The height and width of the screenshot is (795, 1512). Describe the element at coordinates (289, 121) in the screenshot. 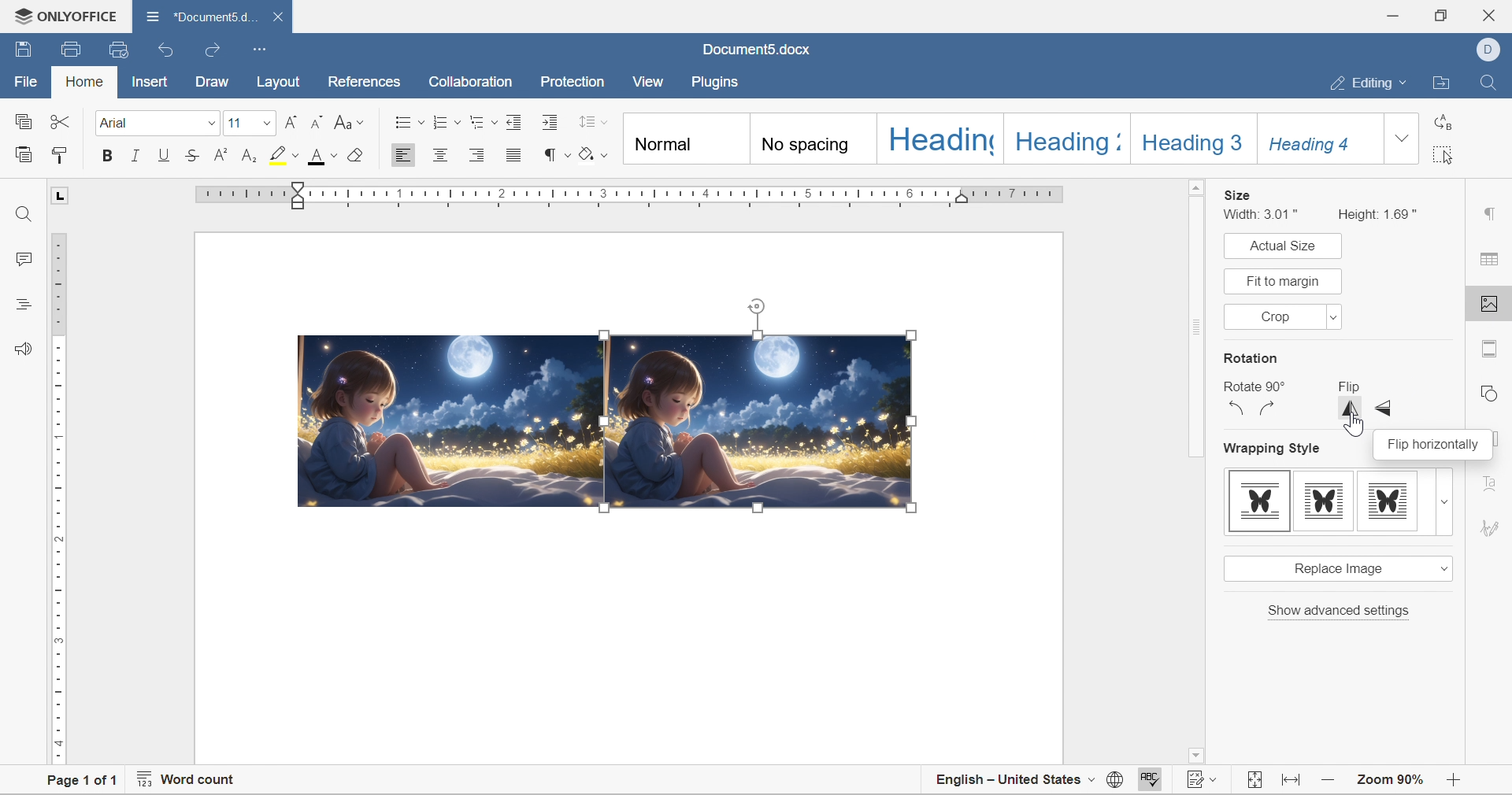

I see `Increment font size` at that location.